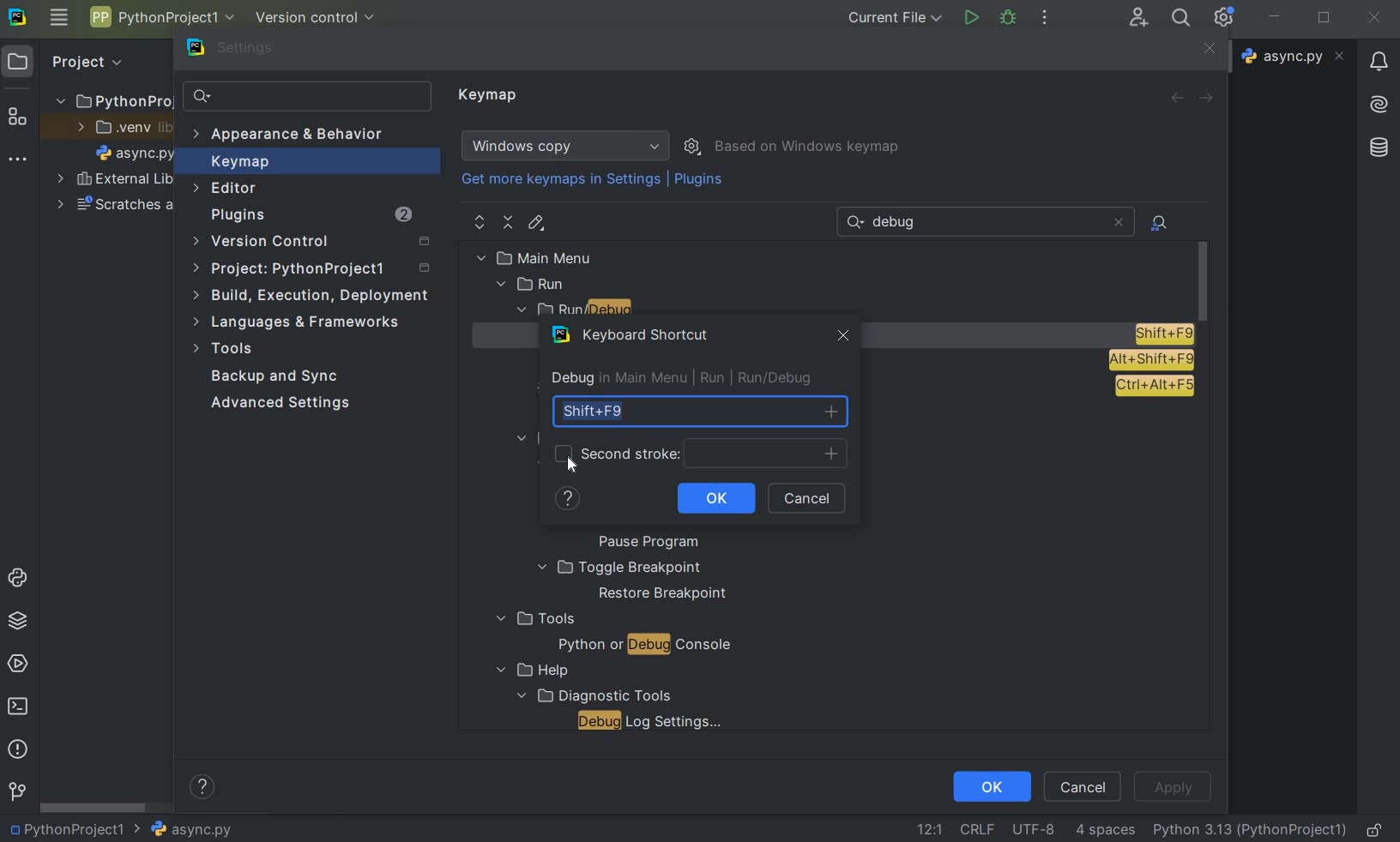  Describe the element at coordinates (1118, 222) in the screenshot. I see `close` at that location.